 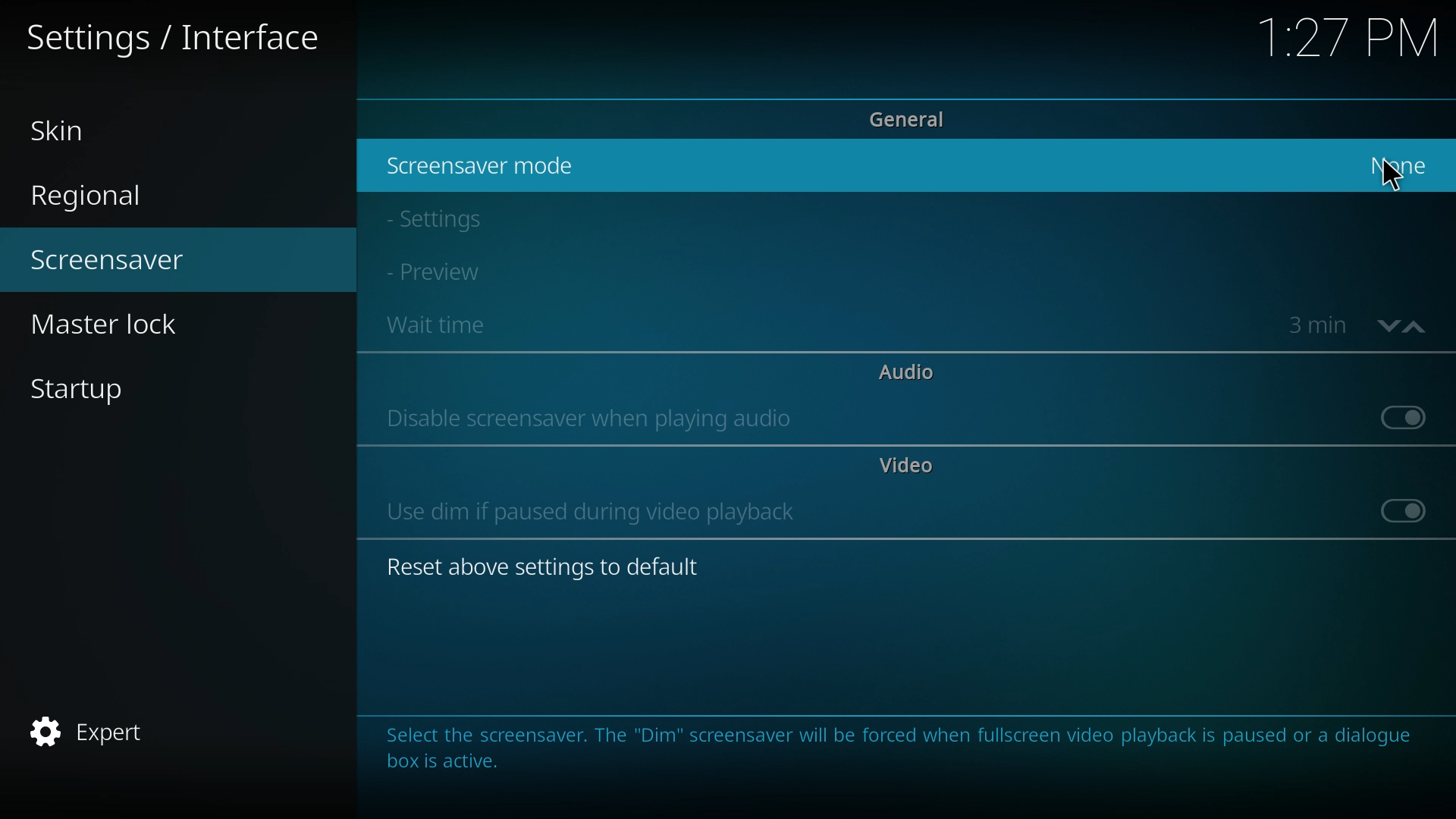 What do you see at coordinates (1318, 325) in the screenshot?
I see `time` at bounding box center [1318, 325].